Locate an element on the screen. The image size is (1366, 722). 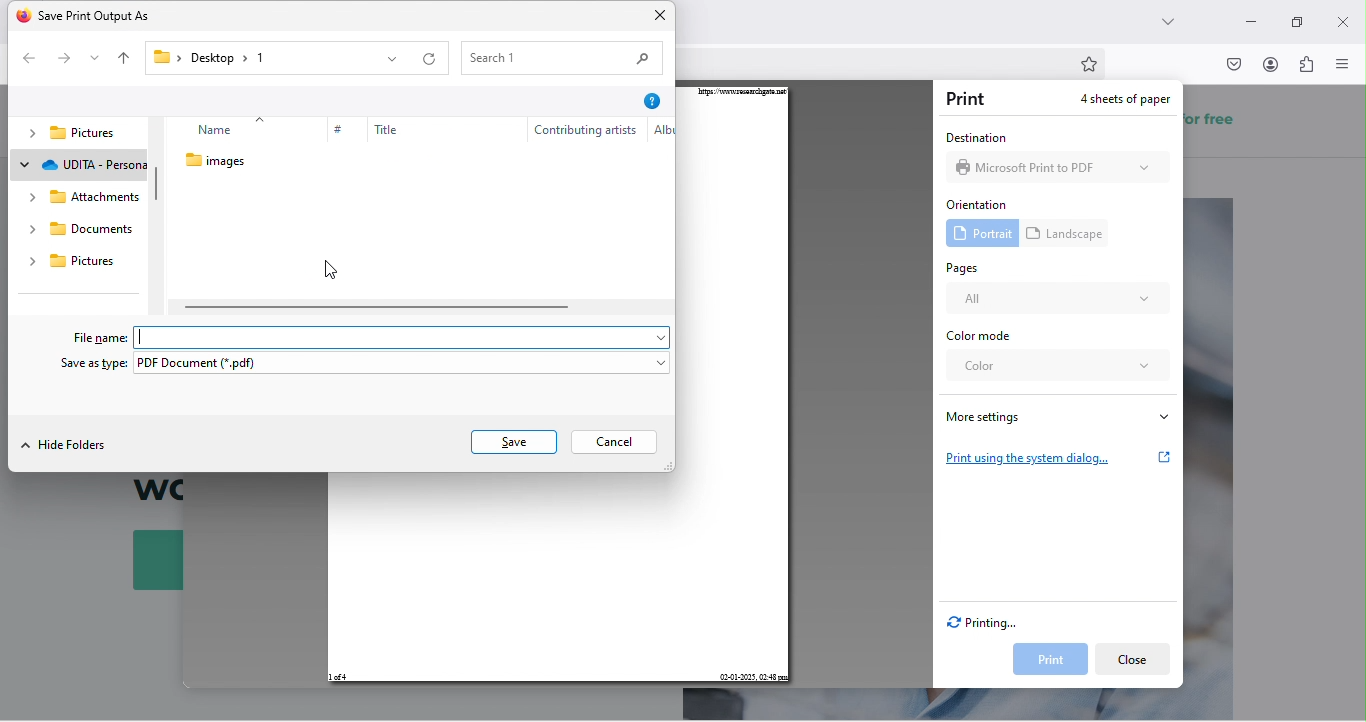
back is located at coordinates (24, 59).